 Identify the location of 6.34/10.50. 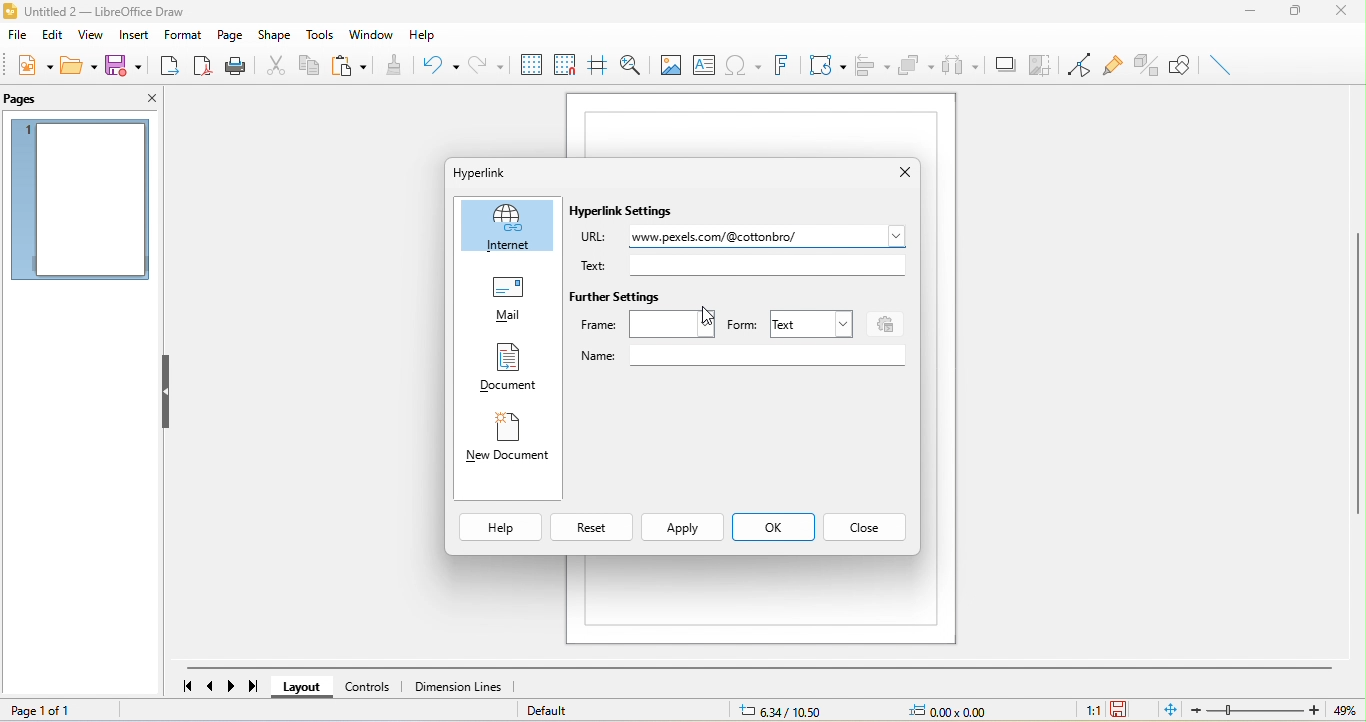
(794, 711).